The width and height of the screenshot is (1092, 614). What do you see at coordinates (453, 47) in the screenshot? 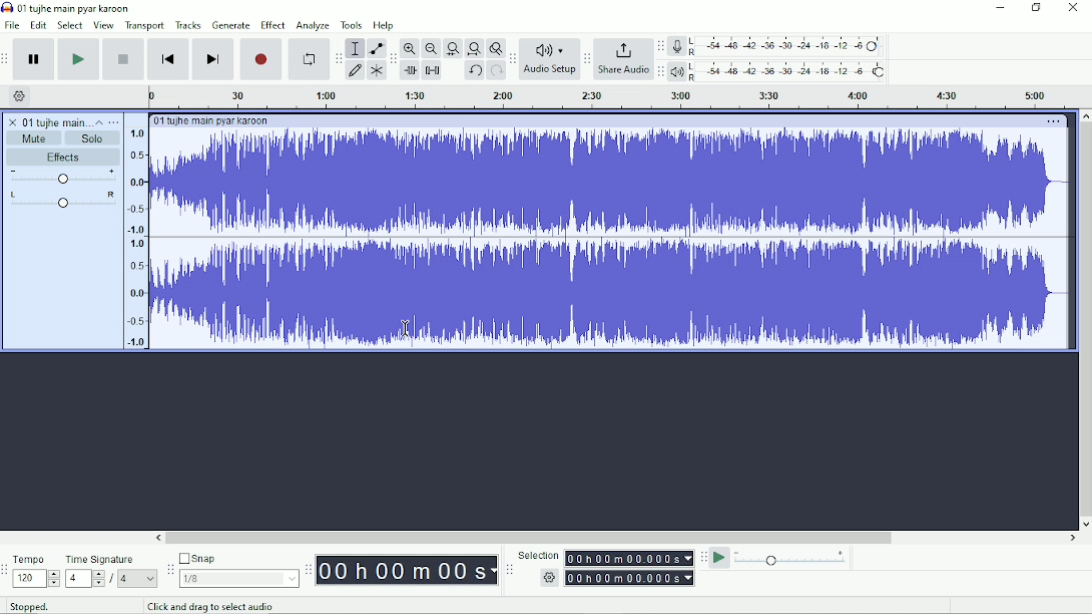
I see `Fit selection to width` at bounding box center [453, 47].